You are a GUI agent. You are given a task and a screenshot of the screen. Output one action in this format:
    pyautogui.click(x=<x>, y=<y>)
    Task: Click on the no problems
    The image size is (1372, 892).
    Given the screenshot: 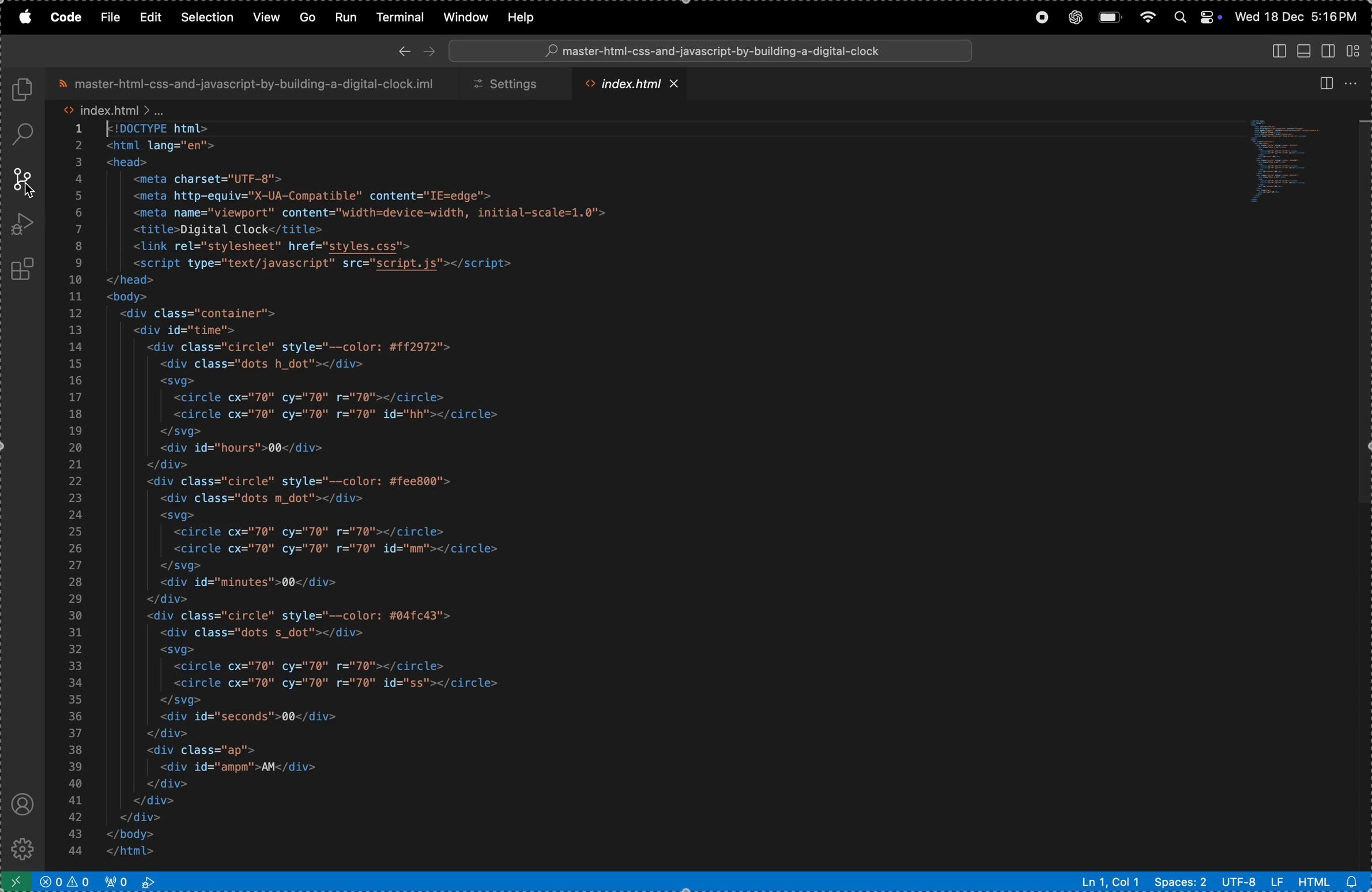 What is the action you would take?
    pyautogui.click(x=67, y=880)
    